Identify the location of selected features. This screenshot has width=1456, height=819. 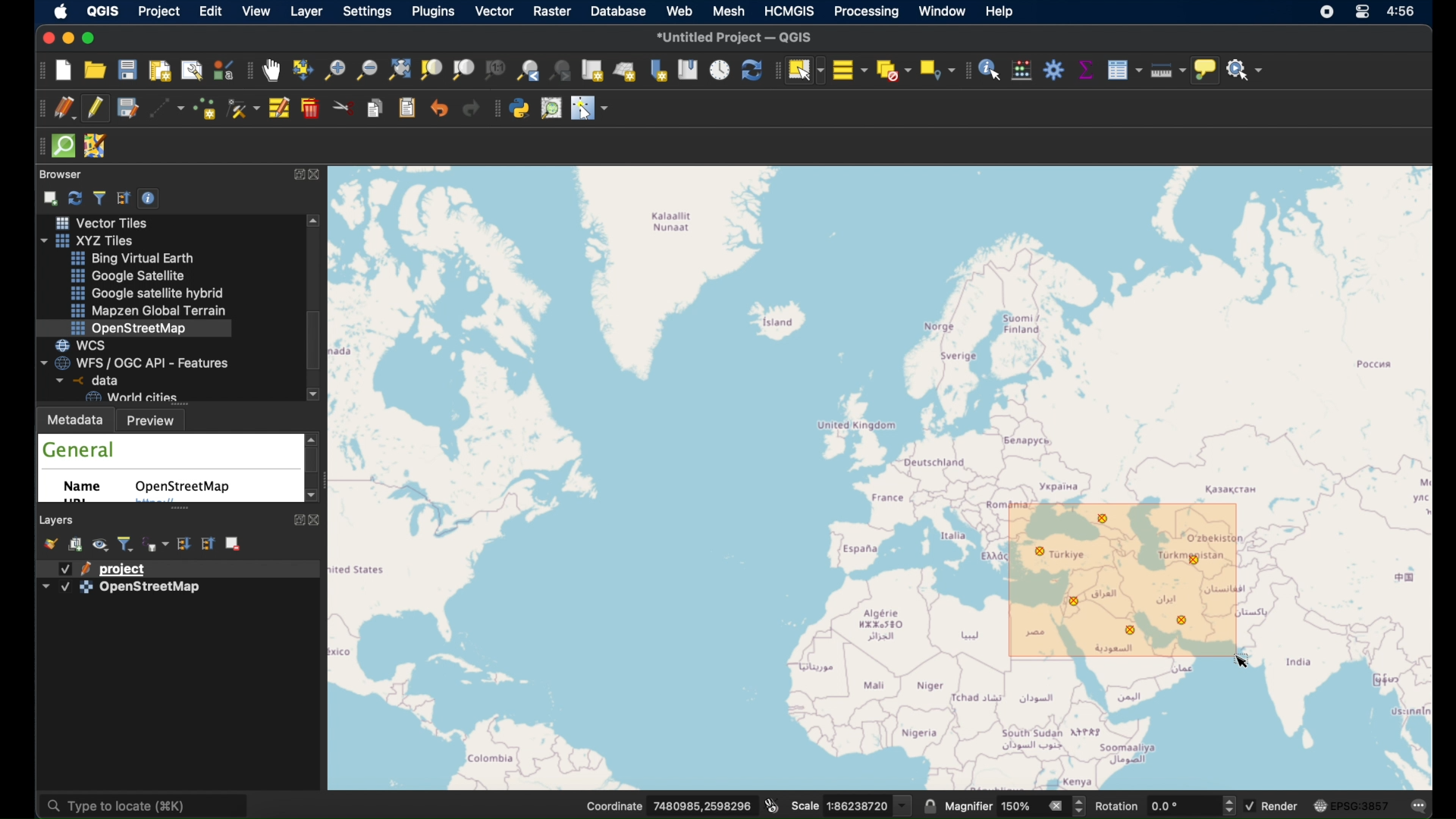
(1127, 577).